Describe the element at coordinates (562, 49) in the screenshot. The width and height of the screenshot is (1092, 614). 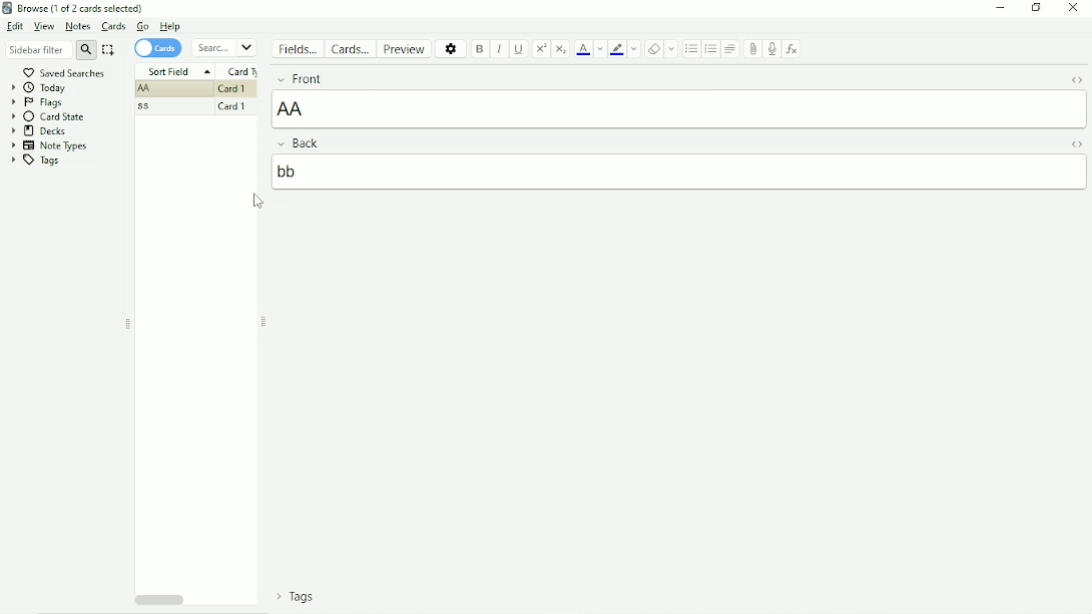
I see `Subscript` at that location.